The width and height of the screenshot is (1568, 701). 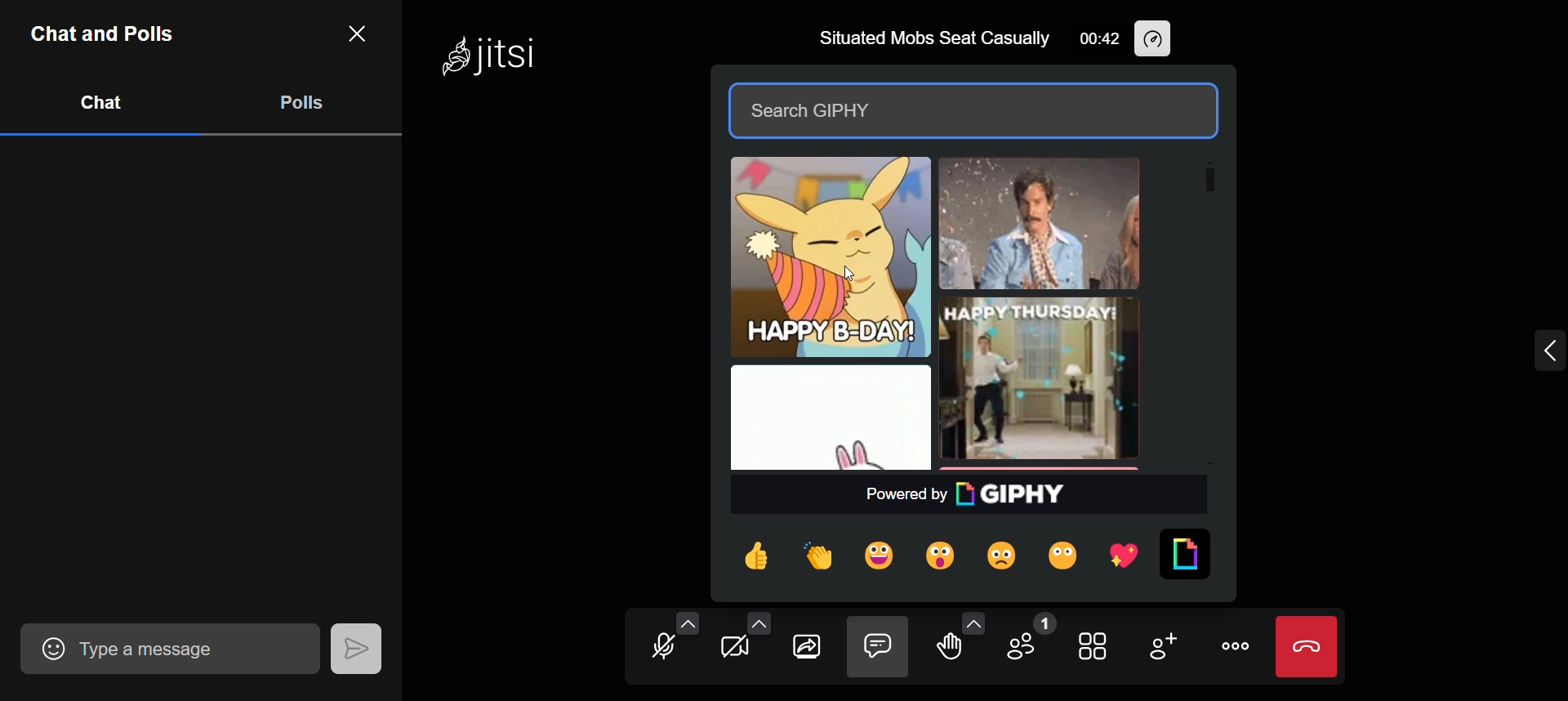 I want to click on Chat and Polls, so click(x=113, y=33).